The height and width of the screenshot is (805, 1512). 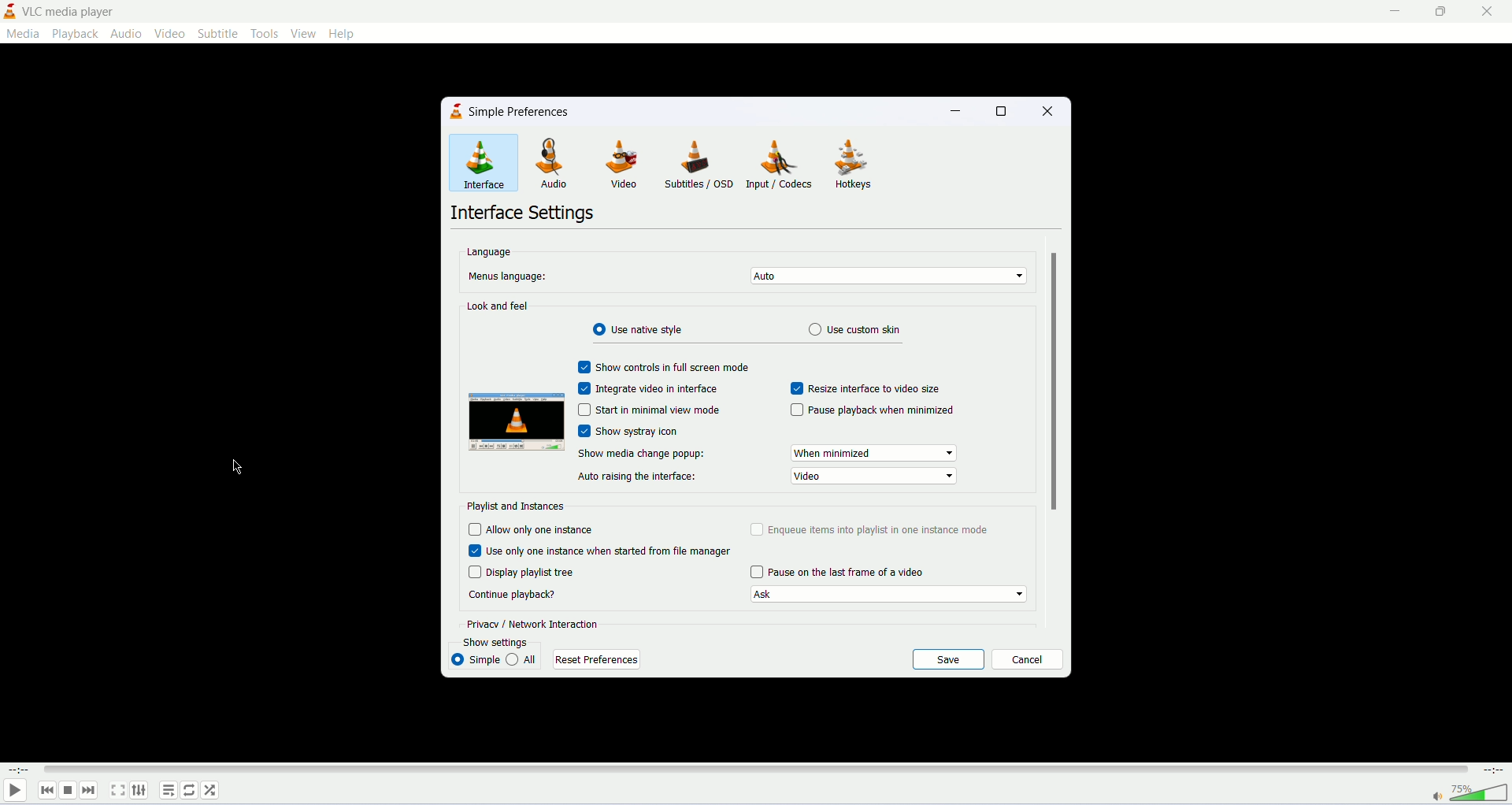 I want to click on interface, so click(x=484, y=163).